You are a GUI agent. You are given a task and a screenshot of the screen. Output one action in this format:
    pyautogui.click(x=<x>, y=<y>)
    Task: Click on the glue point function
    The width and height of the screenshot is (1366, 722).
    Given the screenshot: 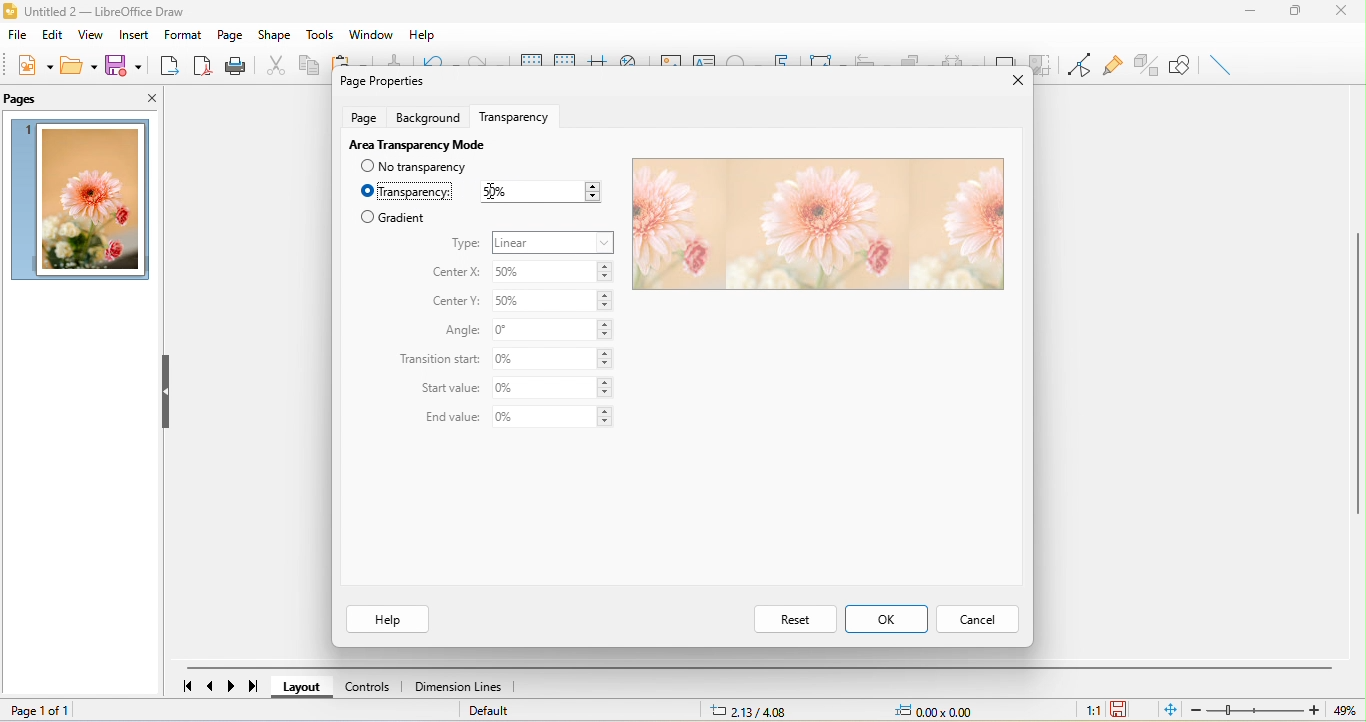 What is the action you would take?
    pyautogui.click(x=1112, y=62)
    